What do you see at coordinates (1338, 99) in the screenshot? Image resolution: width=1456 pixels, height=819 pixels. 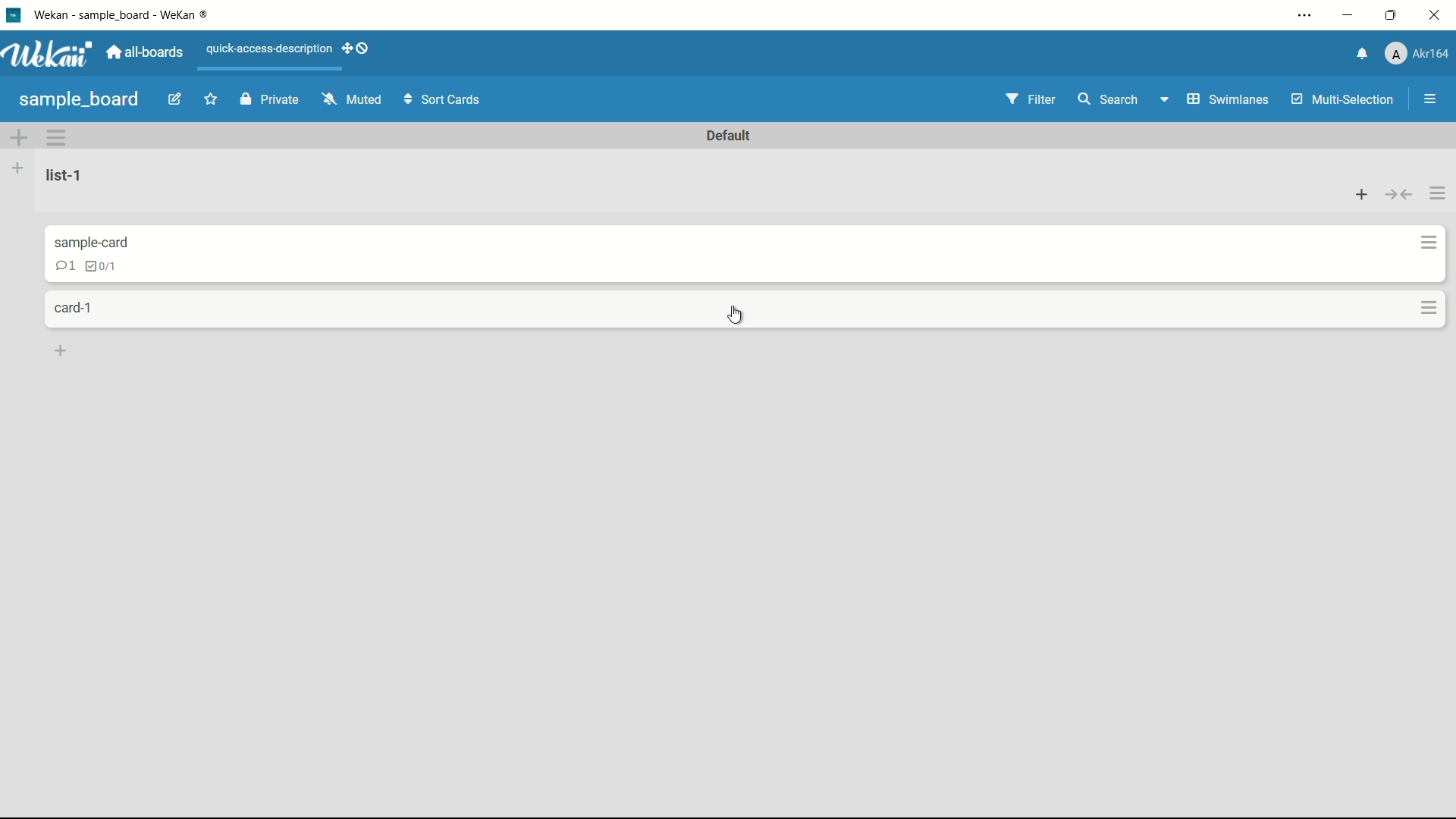 I see `multi-selection` at bounding box center [1338, 99].